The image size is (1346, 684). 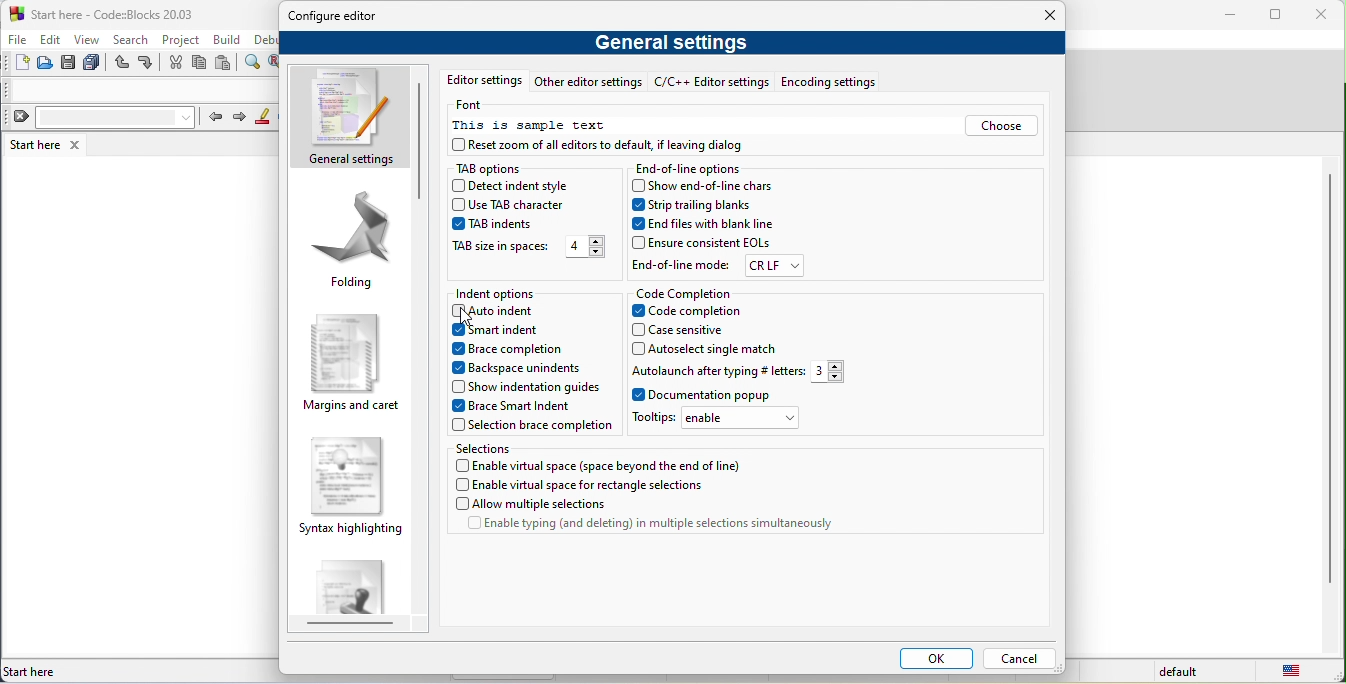 I want to click on redo, so click(x=151, y=65).